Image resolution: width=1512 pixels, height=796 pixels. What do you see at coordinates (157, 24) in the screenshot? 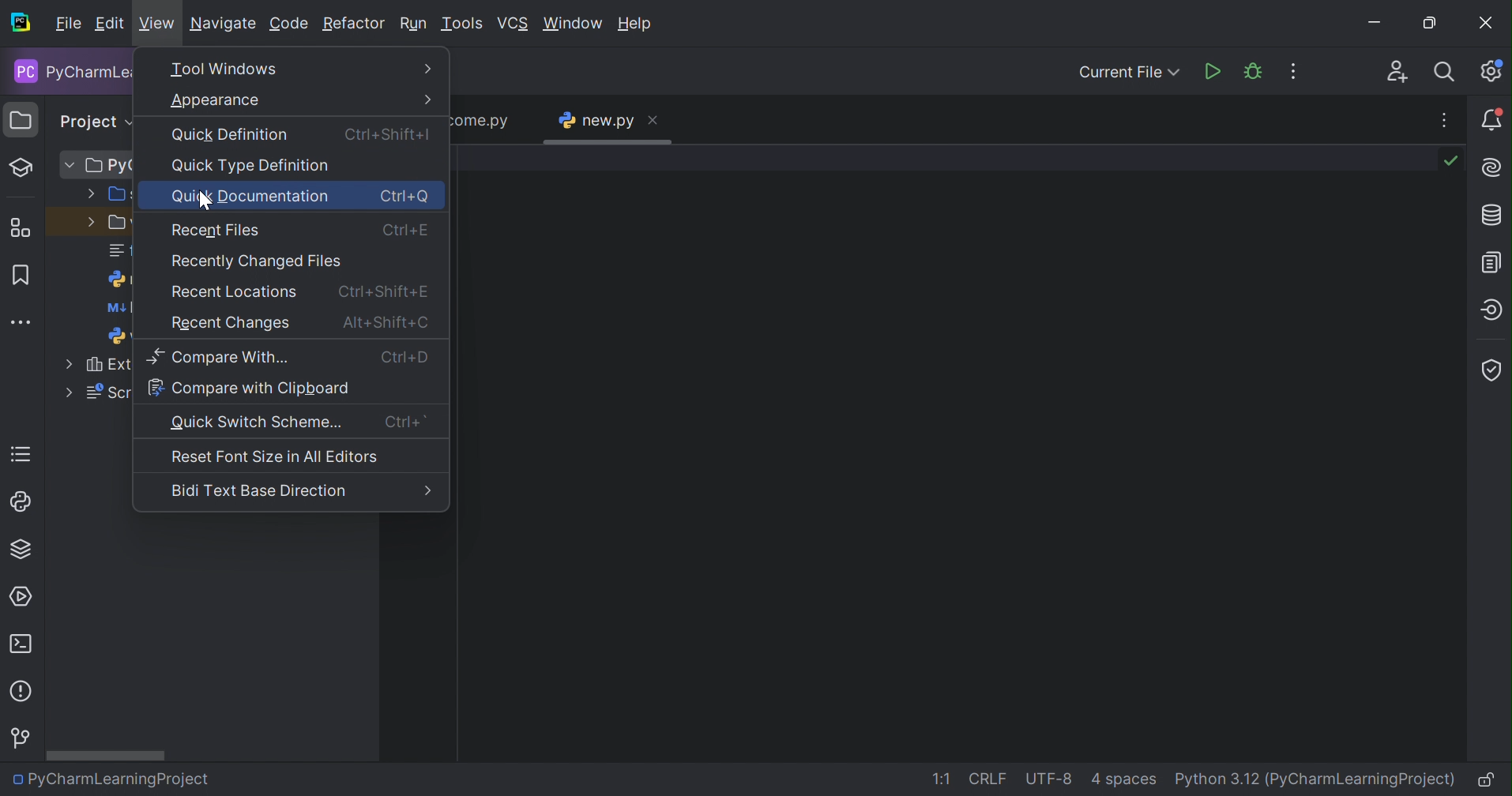
I see `View` at bounding box center [157, 24].